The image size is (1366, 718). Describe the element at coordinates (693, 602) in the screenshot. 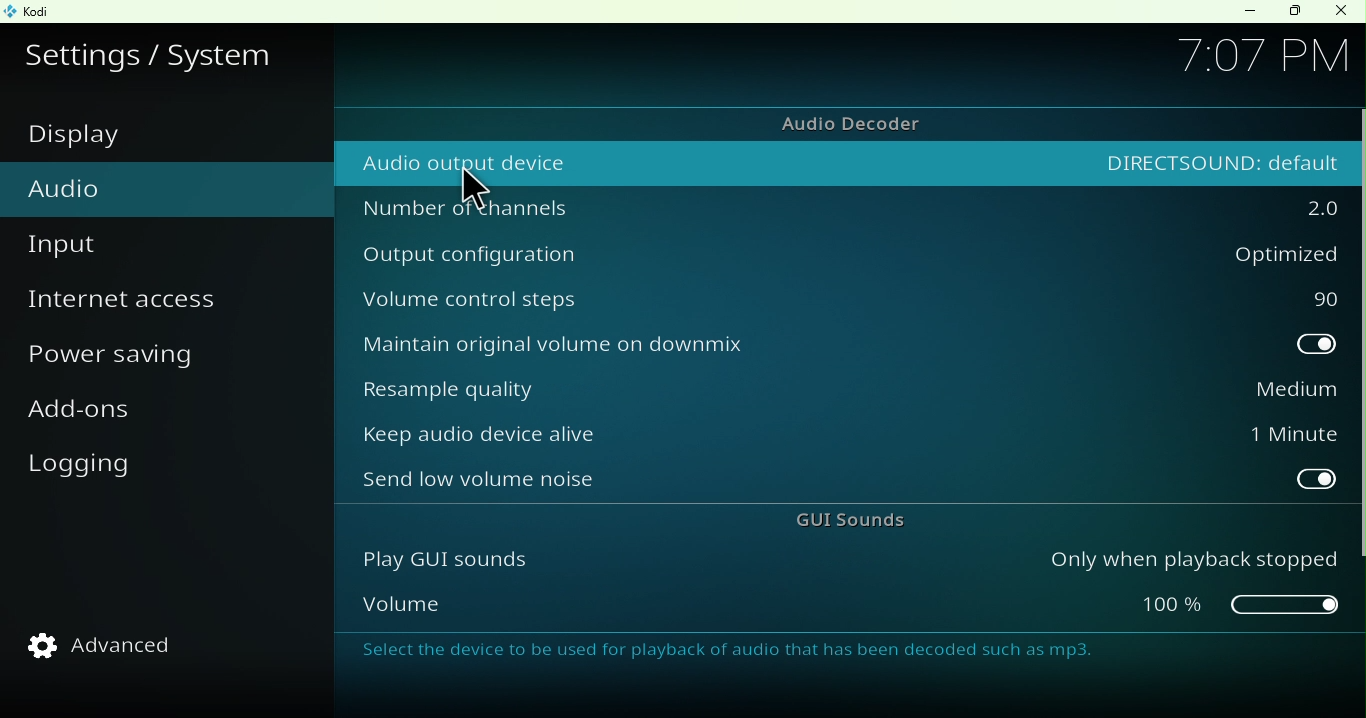

I see `Volume` at that location.